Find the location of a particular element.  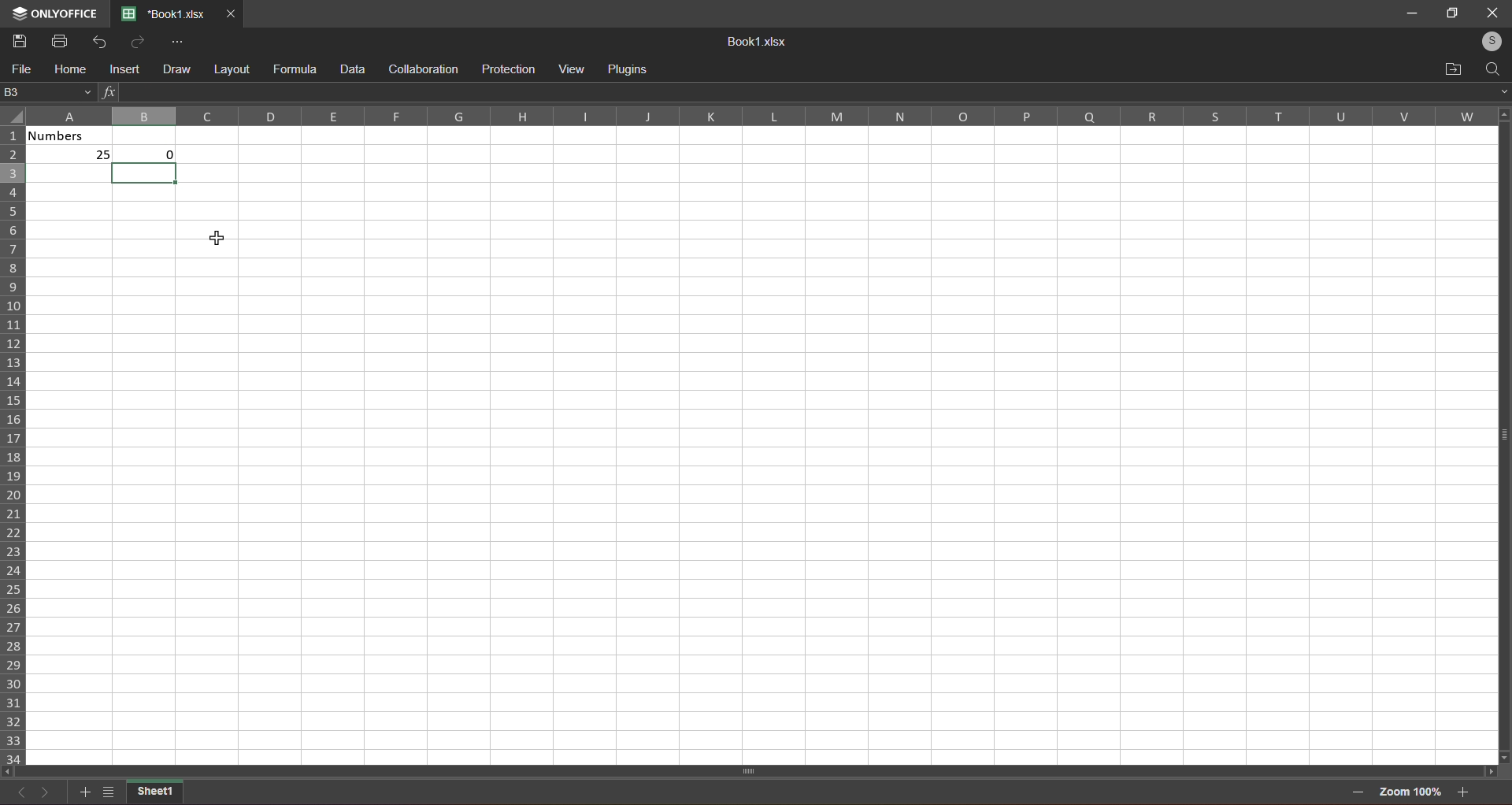

minimize is located at coordinates (1413, 14).